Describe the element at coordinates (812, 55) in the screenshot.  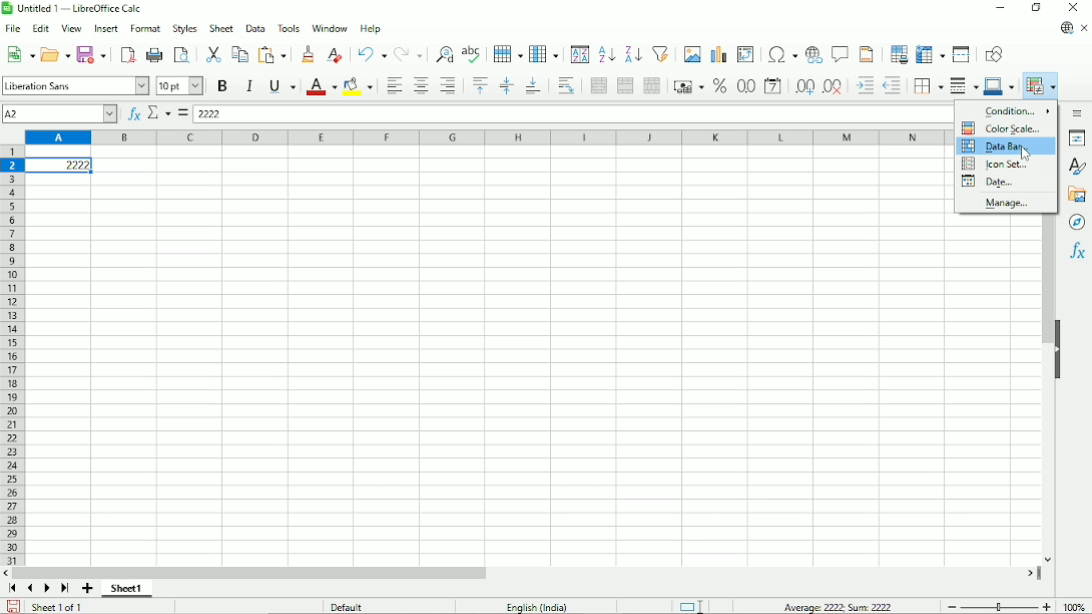
I see `Insert hyperlink` at that location.